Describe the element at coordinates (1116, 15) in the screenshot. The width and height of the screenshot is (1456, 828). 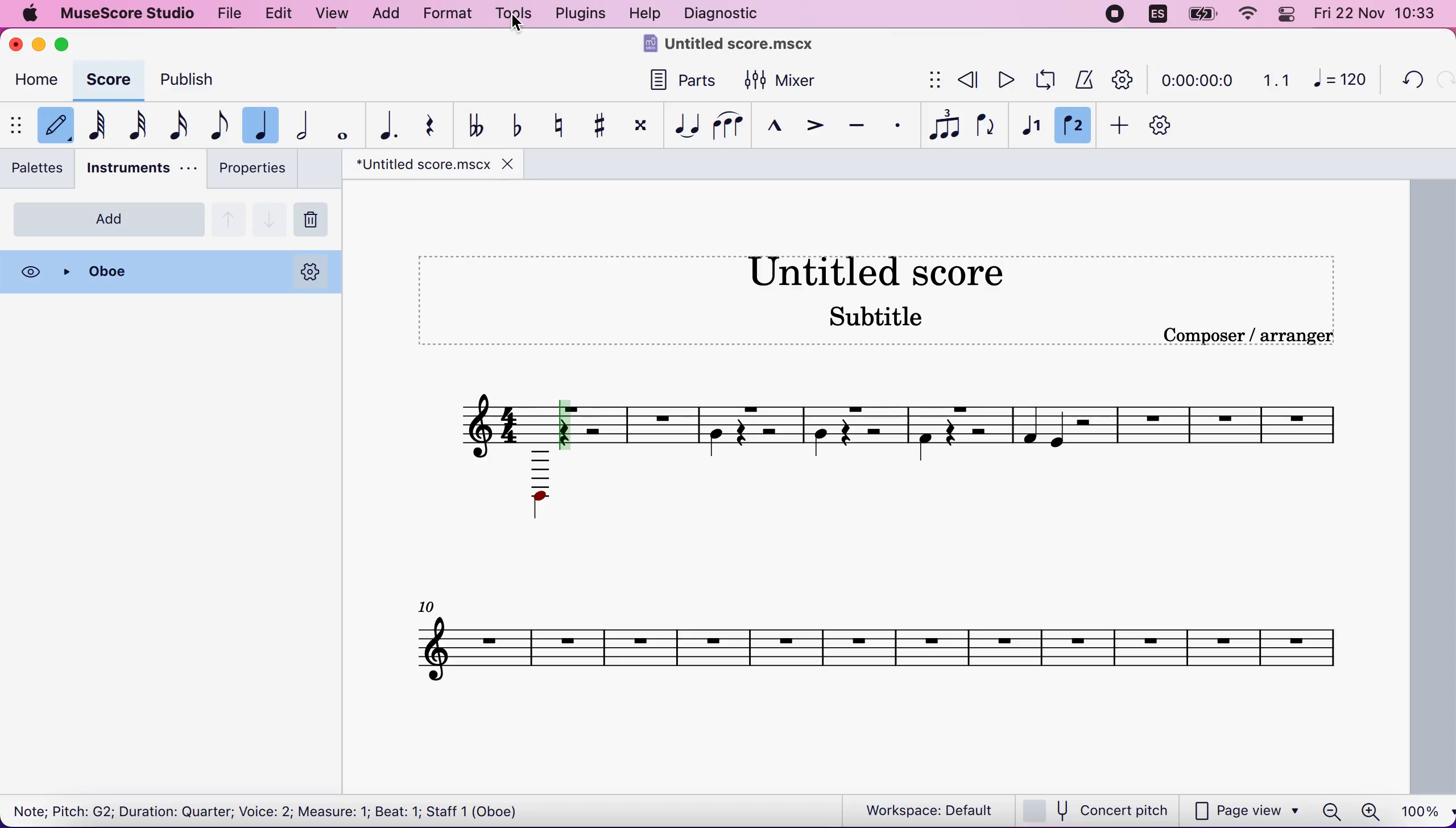
I see `recording stopped` at that location.